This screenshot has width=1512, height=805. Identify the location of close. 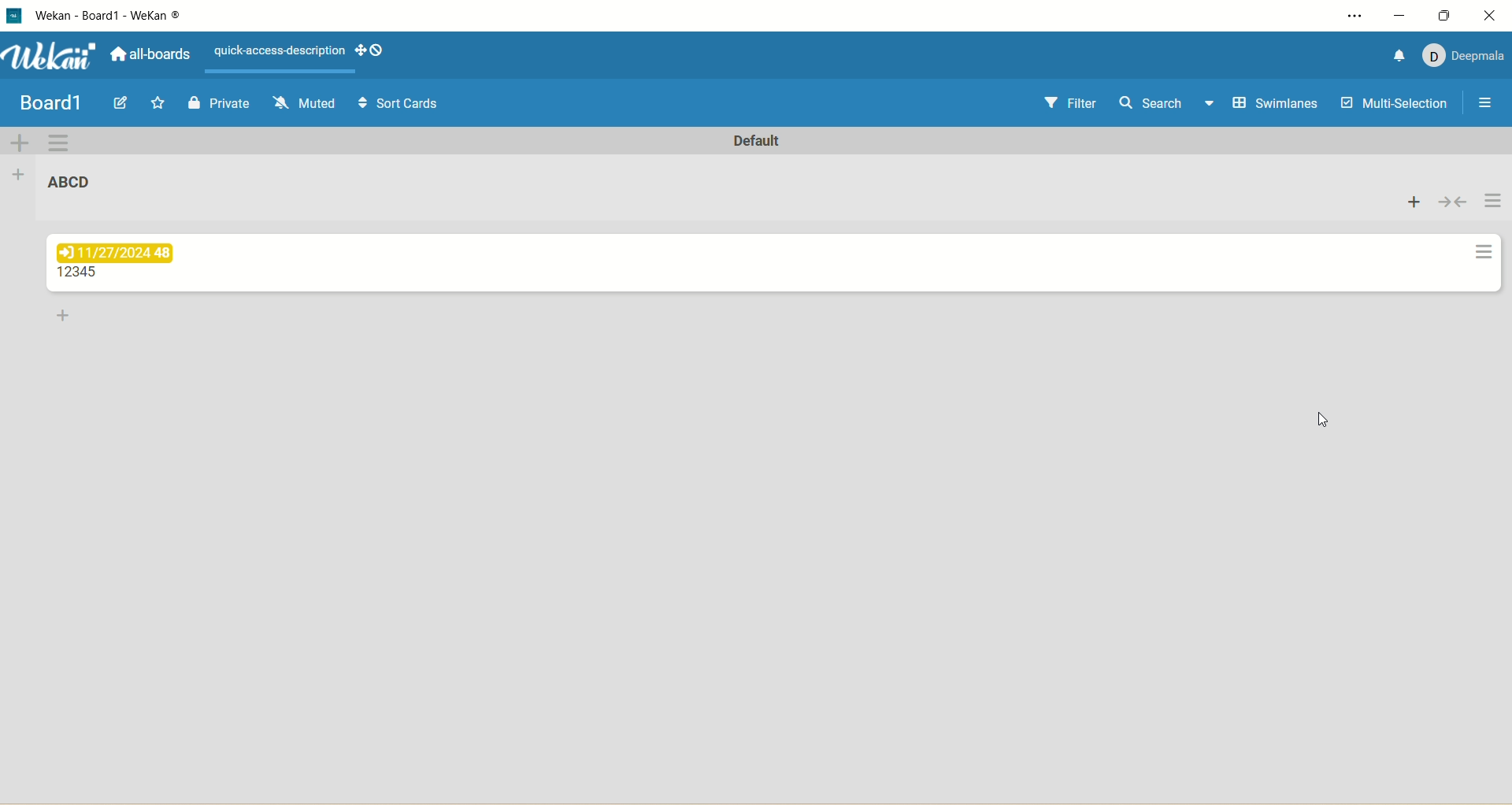
(1493, 15).